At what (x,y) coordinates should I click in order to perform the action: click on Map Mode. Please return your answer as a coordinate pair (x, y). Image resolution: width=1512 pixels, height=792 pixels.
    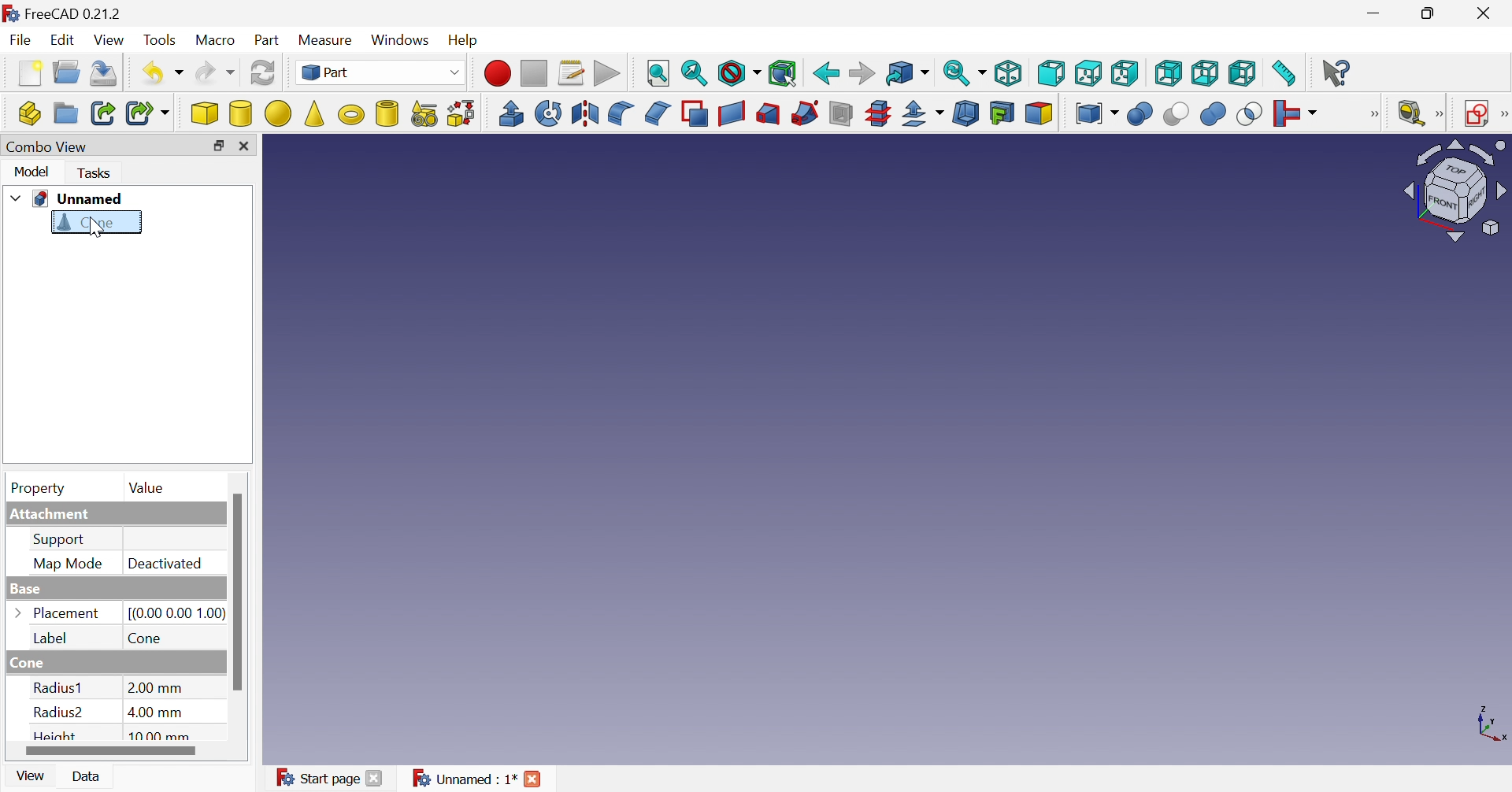
    Looking at the image, I should click on (69, 565).